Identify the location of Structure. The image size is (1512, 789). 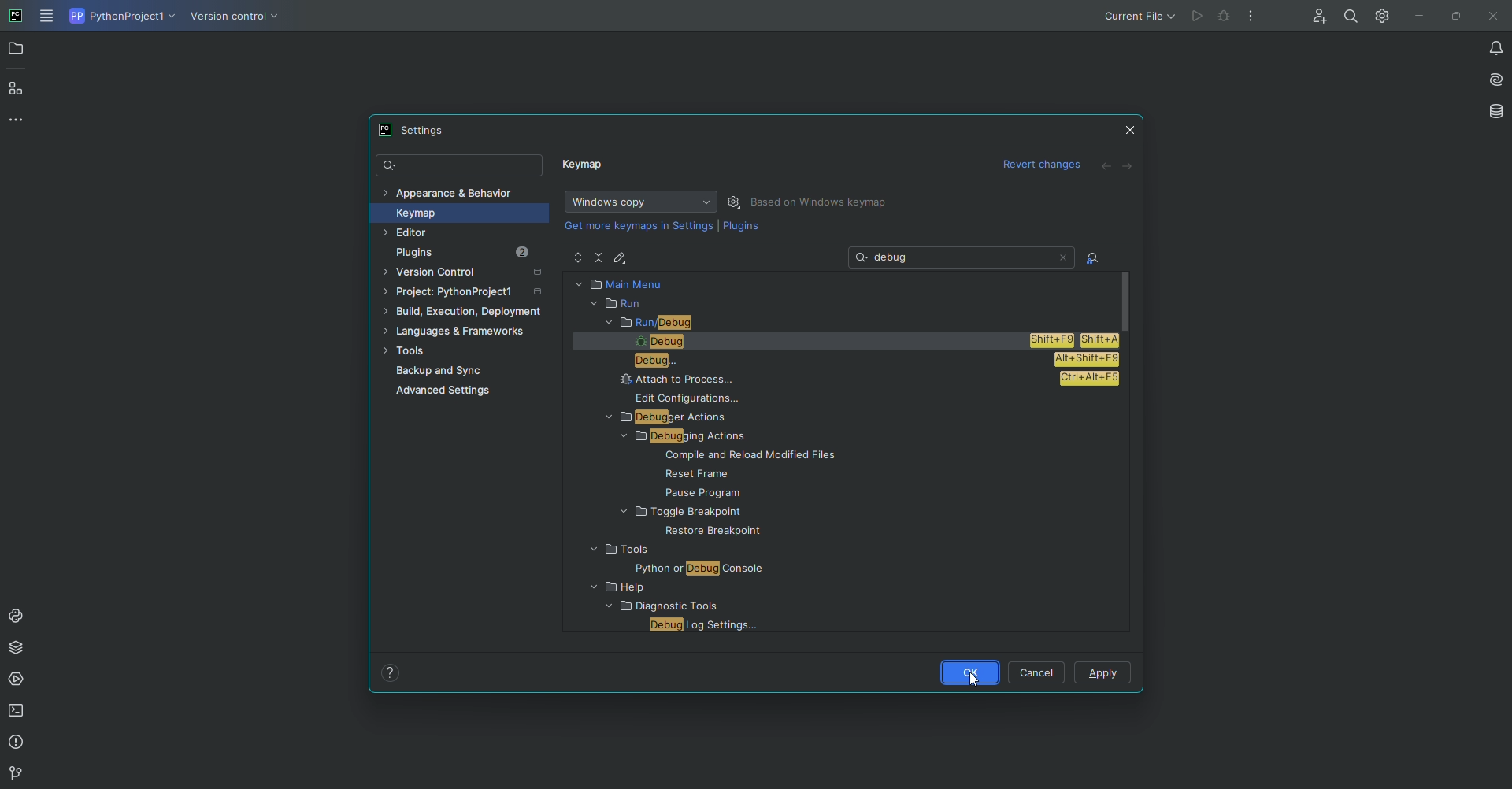
(17, 87).